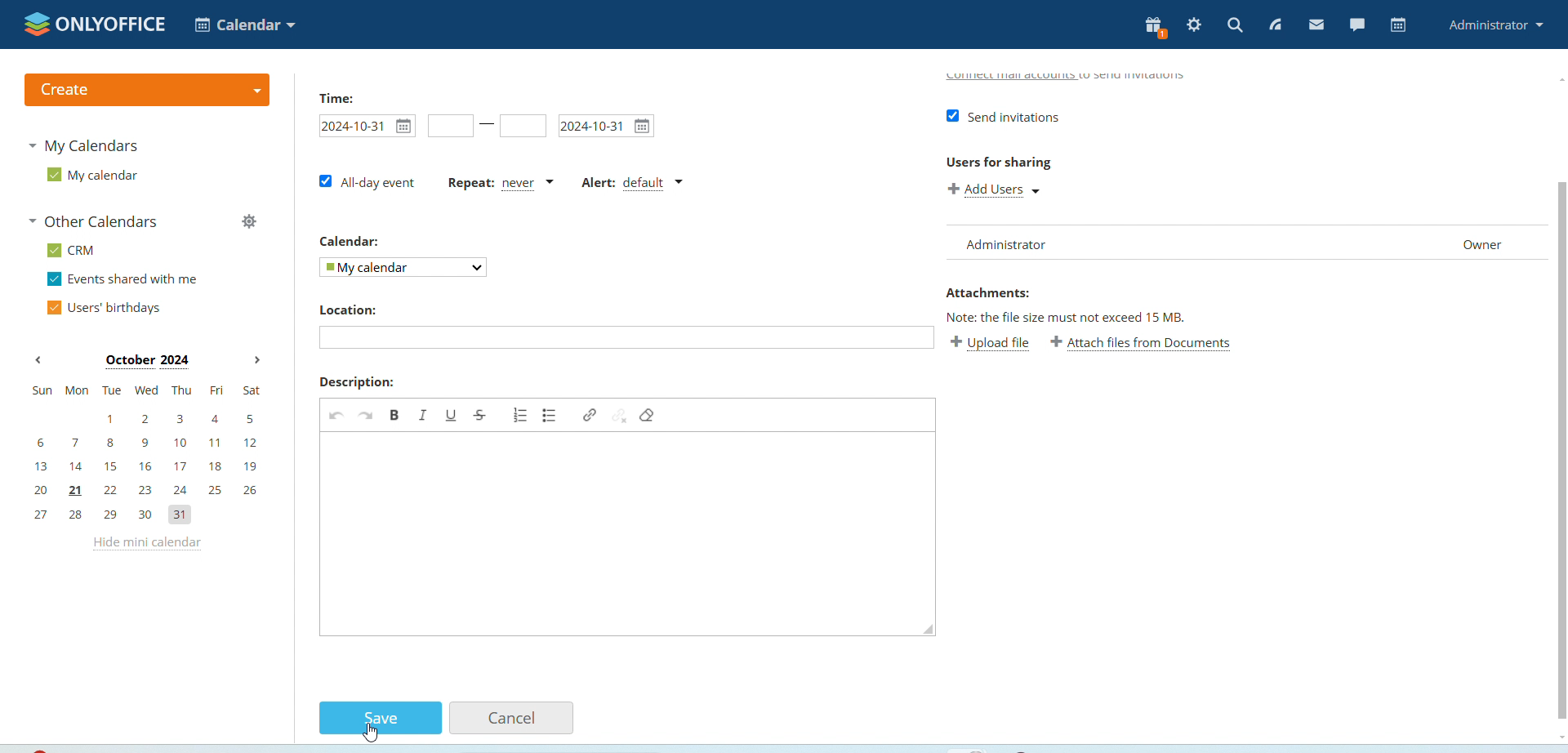 The image size is (1568, 753). I want to click on create, so click(147, 90).